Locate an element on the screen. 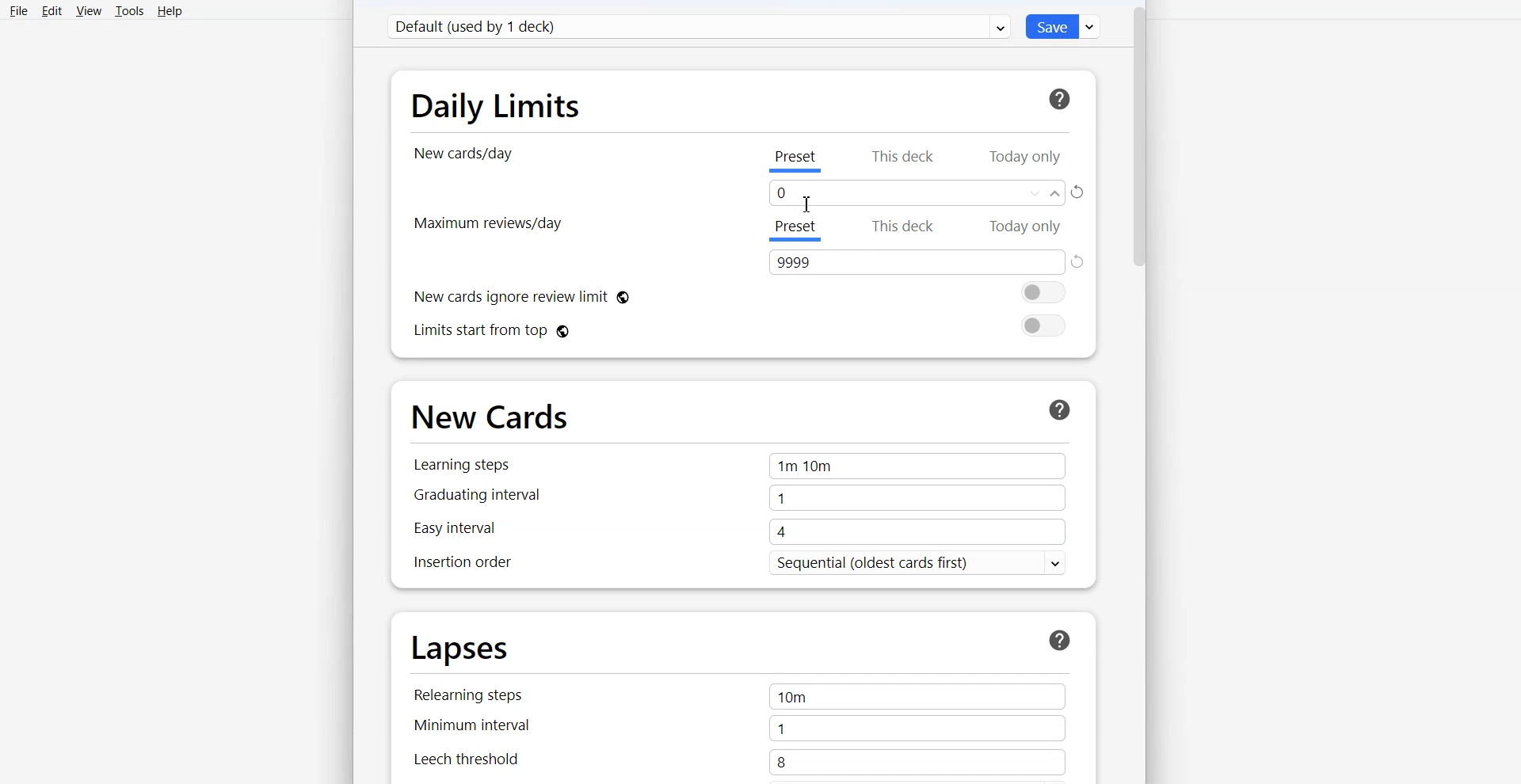 This screenshot has width=1521, height=784. This deck is located at coordinates (905, 157).